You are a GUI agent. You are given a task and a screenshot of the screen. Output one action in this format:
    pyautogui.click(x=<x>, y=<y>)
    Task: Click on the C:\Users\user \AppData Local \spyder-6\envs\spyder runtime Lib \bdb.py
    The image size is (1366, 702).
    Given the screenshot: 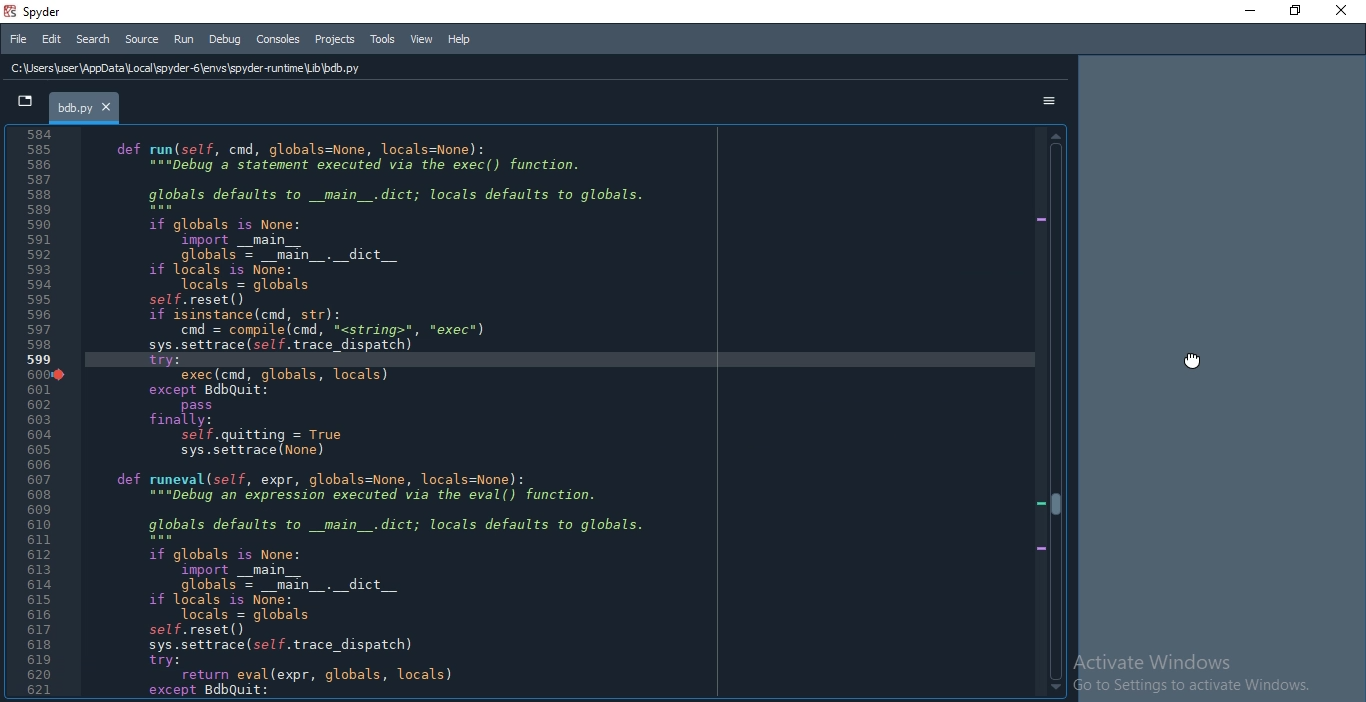 What is the action you would take?
    pyautogui.click(x=195, y=69)
    